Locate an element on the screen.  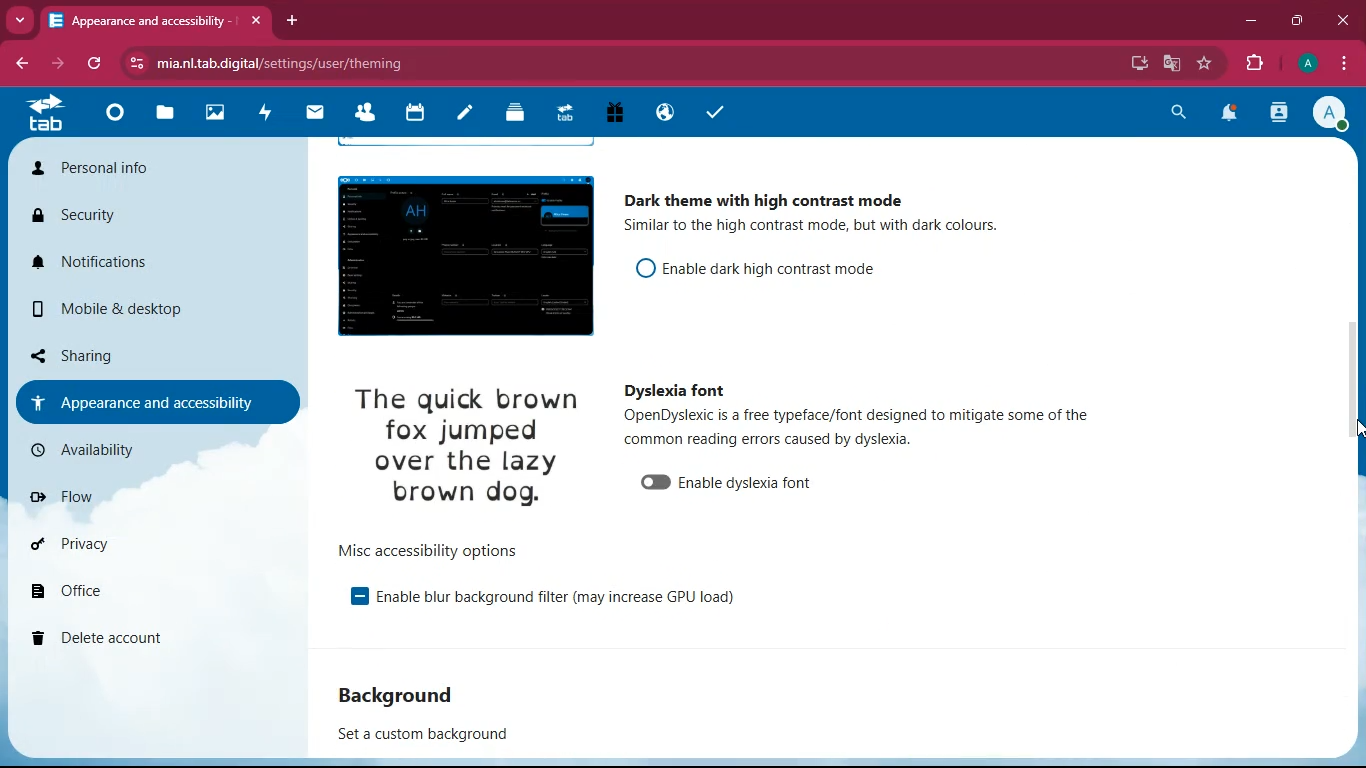
maximize is located at coordinates (1299, 17).